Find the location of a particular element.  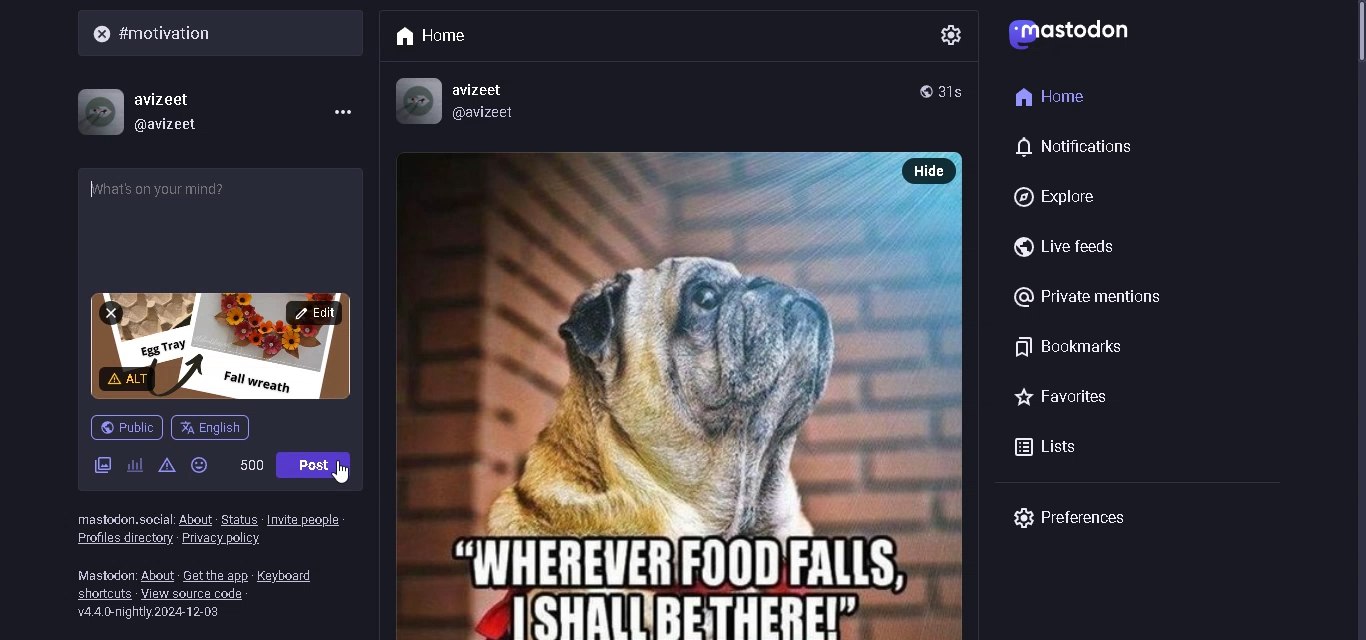

profile picture is located at coordinates (99, 108).